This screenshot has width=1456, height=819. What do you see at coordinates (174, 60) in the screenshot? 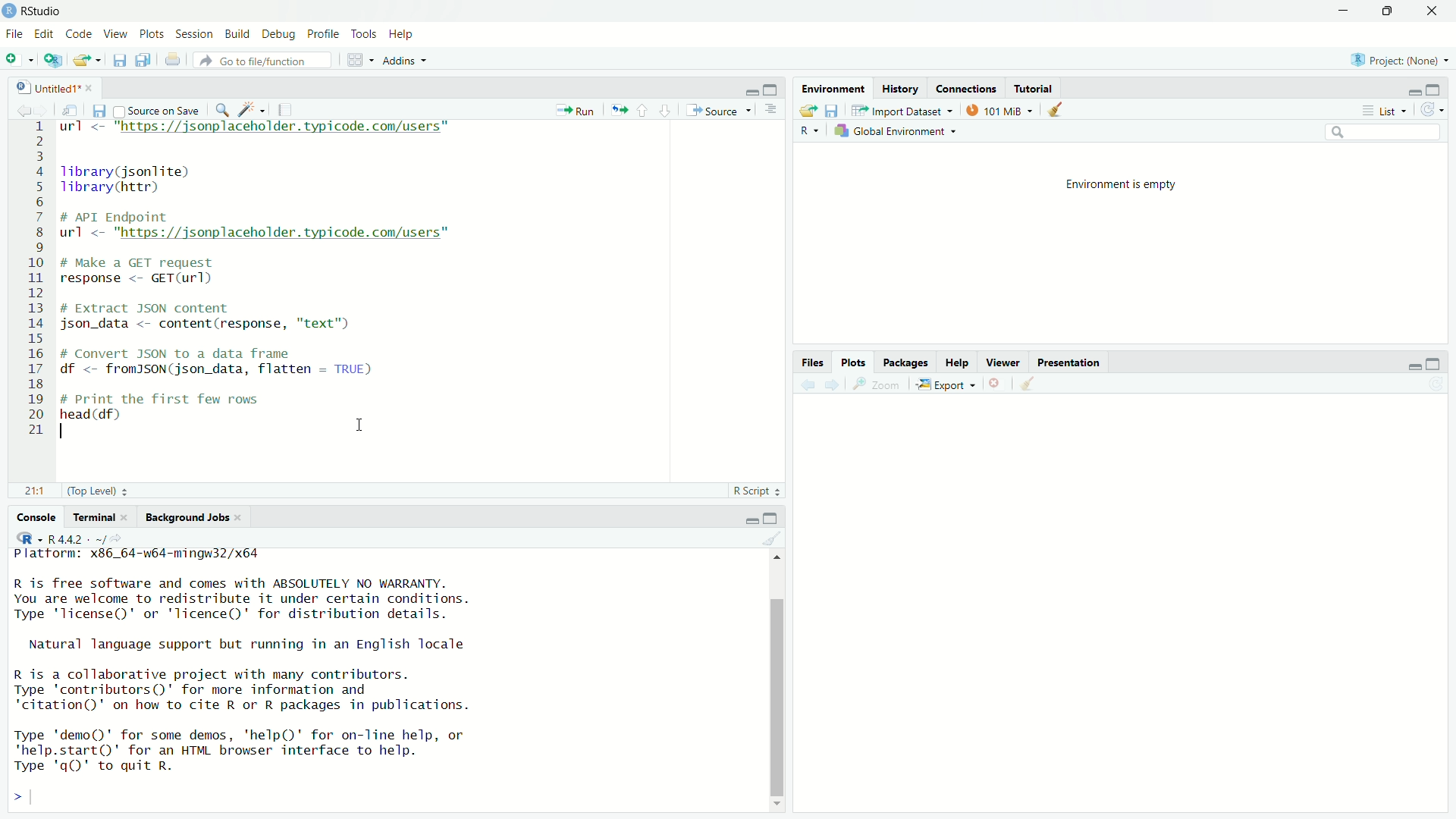
I see `Print` at bounding box center [174, 60].